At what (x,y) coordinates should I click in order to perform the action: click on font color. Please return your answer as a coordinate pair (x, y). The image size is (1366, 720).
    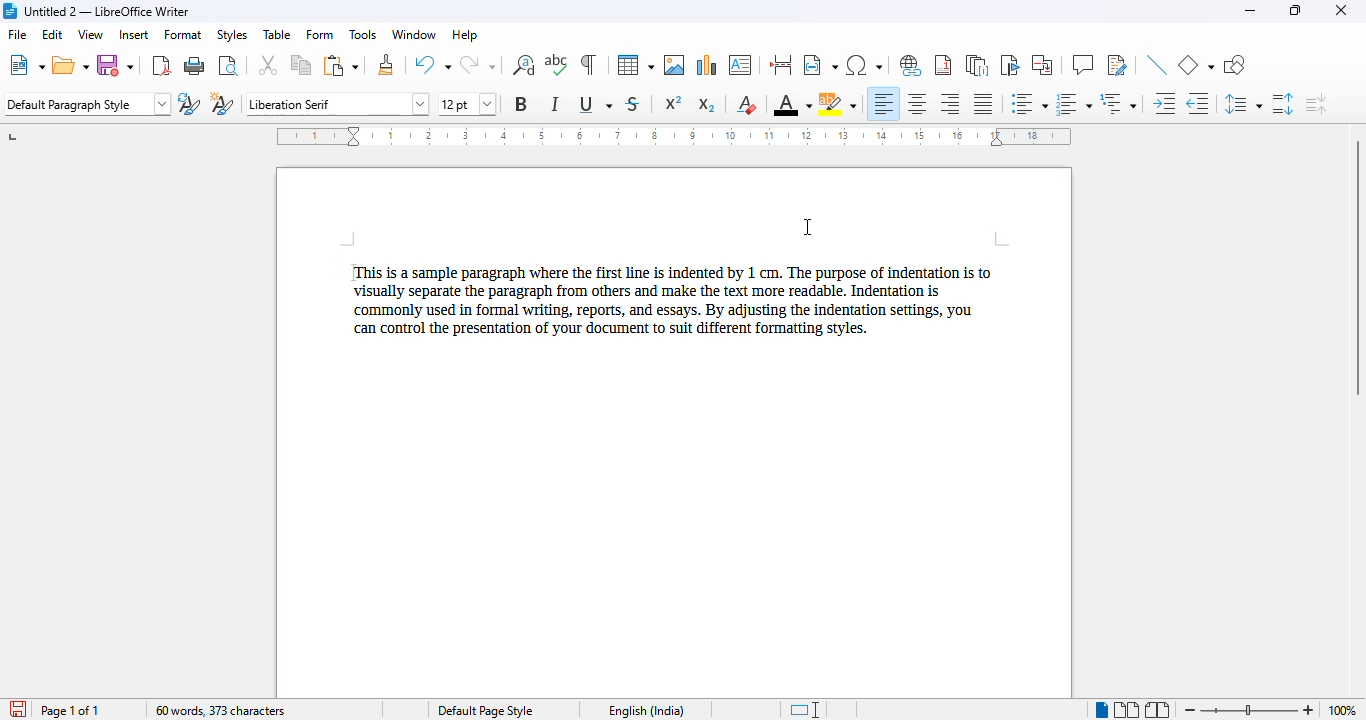
    Looking at the image, I should click on (792, 104).